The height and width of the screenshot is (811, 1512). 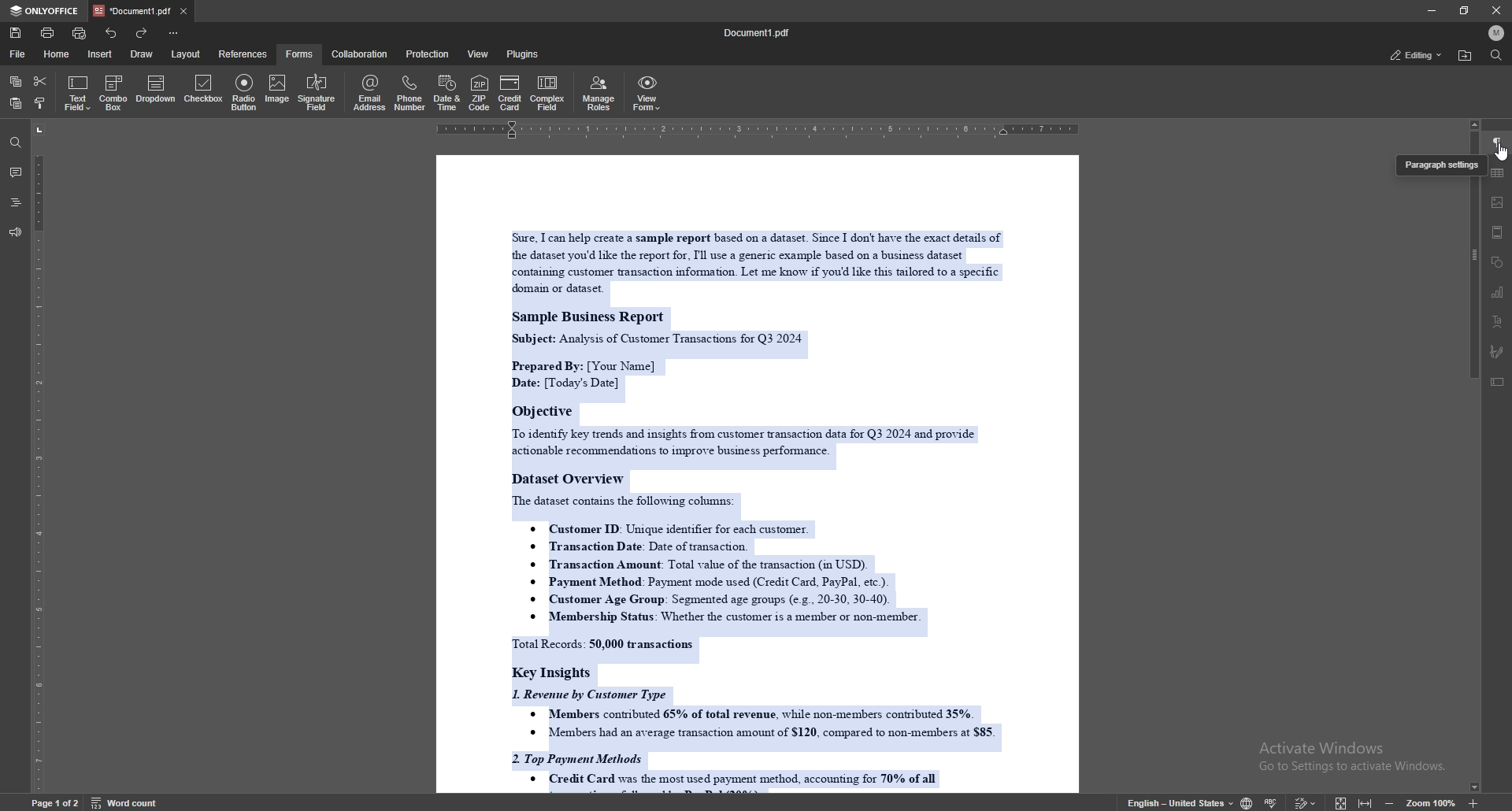 I want to click on print, so click(x=48, y=32).